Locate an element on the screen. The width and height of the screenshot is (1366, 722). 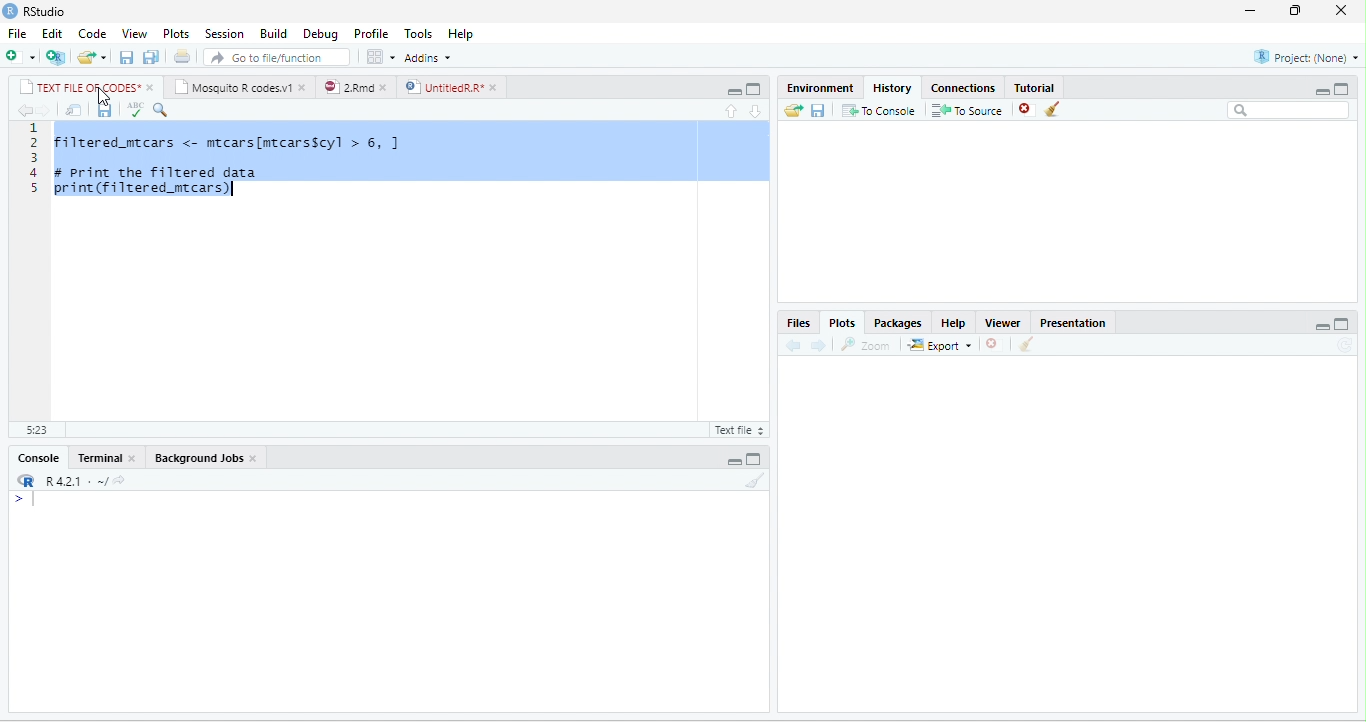
ABC is located at coordinates (136, 108).